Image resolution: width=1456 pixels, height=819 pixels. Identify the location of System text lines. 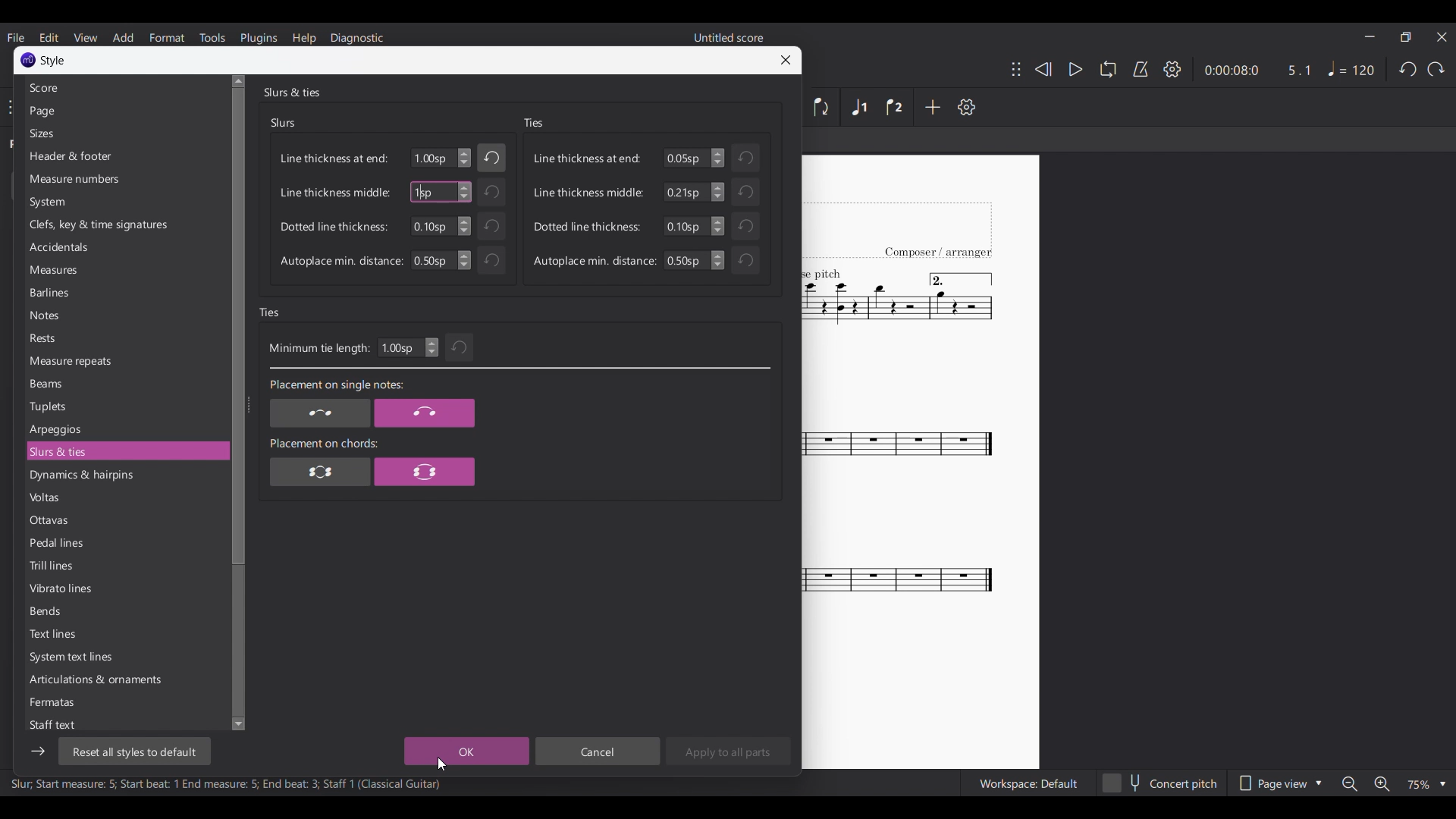
(125, 657).